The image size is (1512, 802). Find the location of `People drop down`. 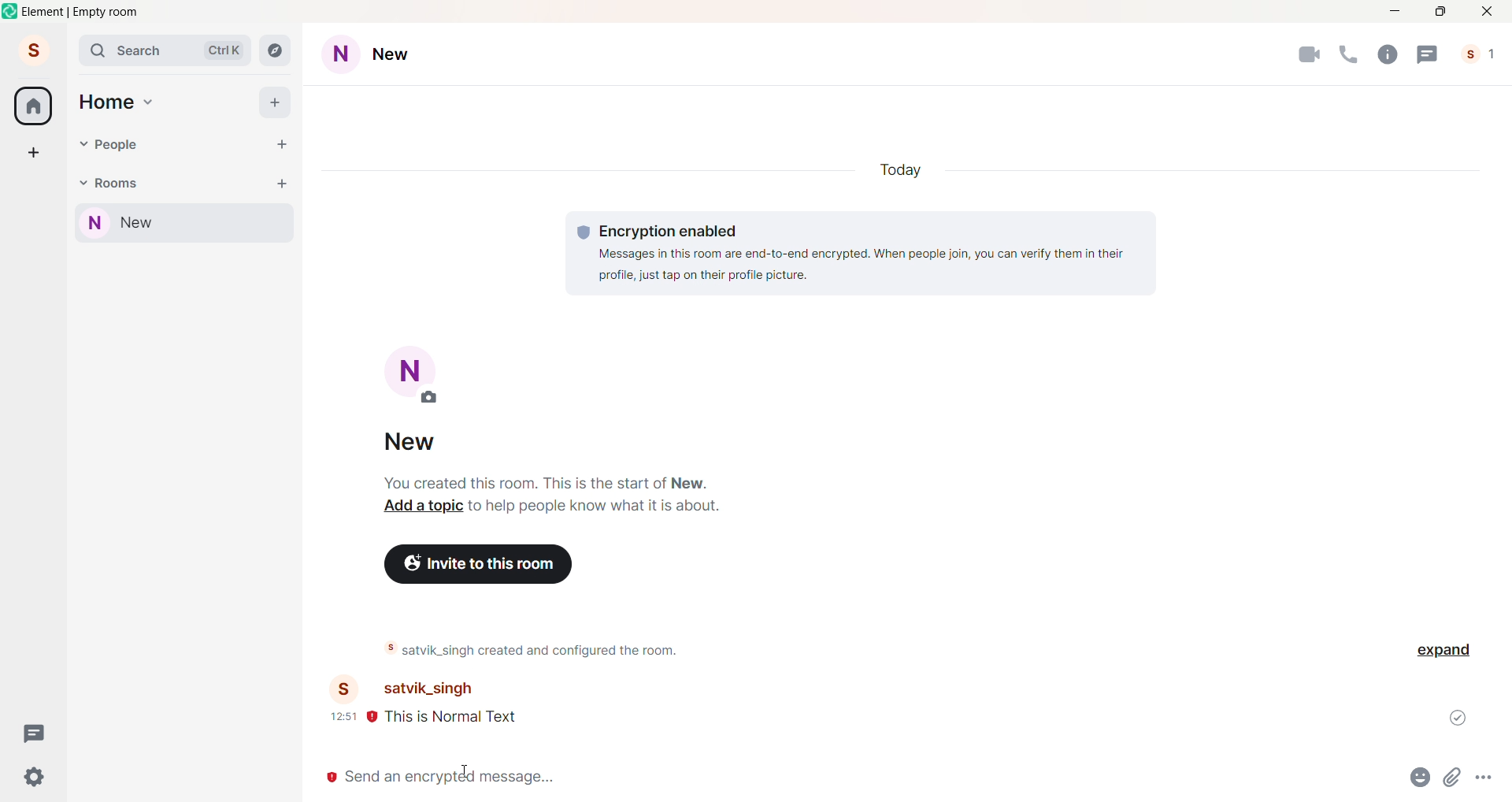

People drop down is located at coordinates (83, 144).